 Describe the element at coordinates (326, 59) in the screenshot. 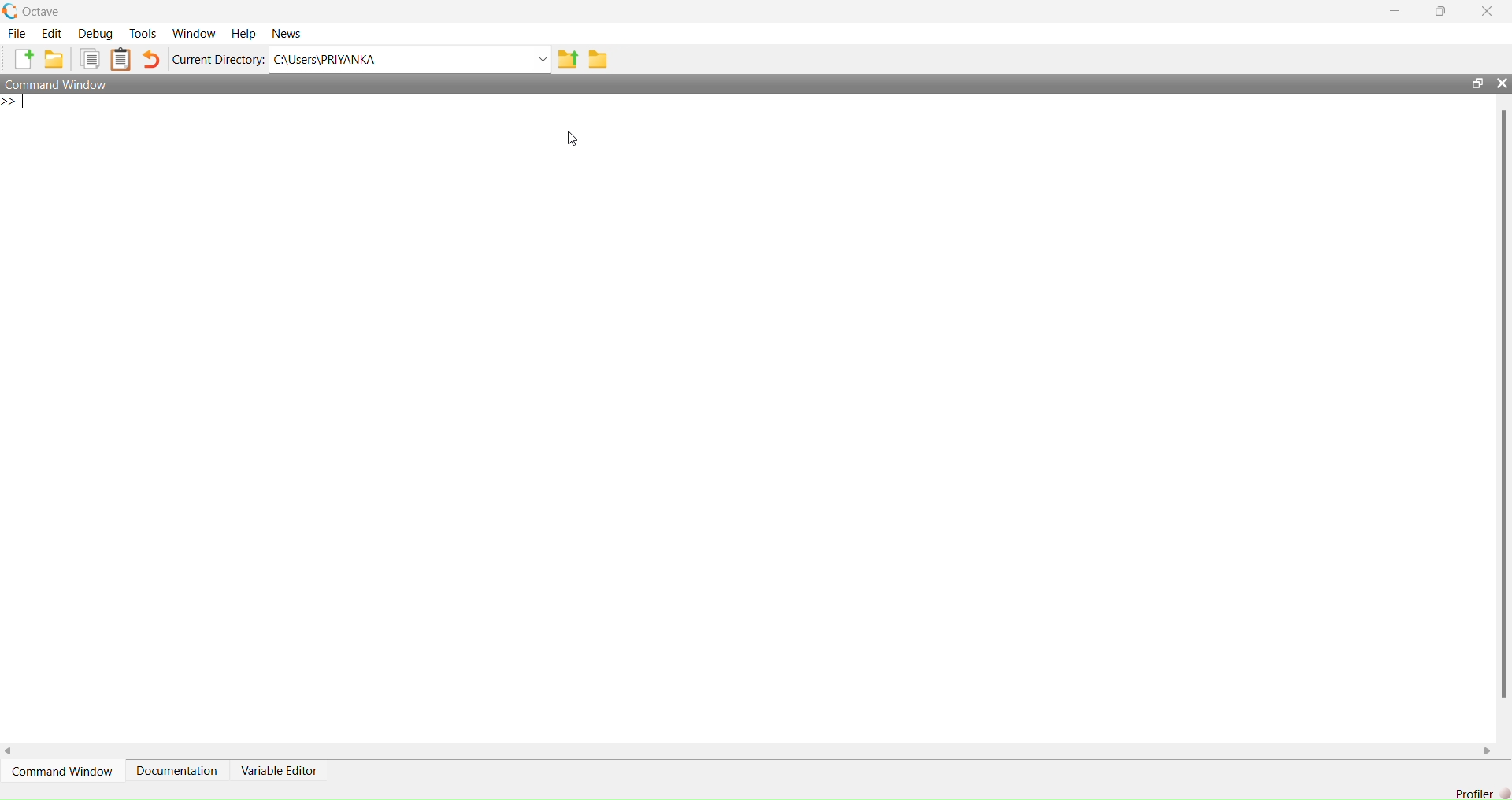

I see `C:\Users\PRIYANKA` at that location.